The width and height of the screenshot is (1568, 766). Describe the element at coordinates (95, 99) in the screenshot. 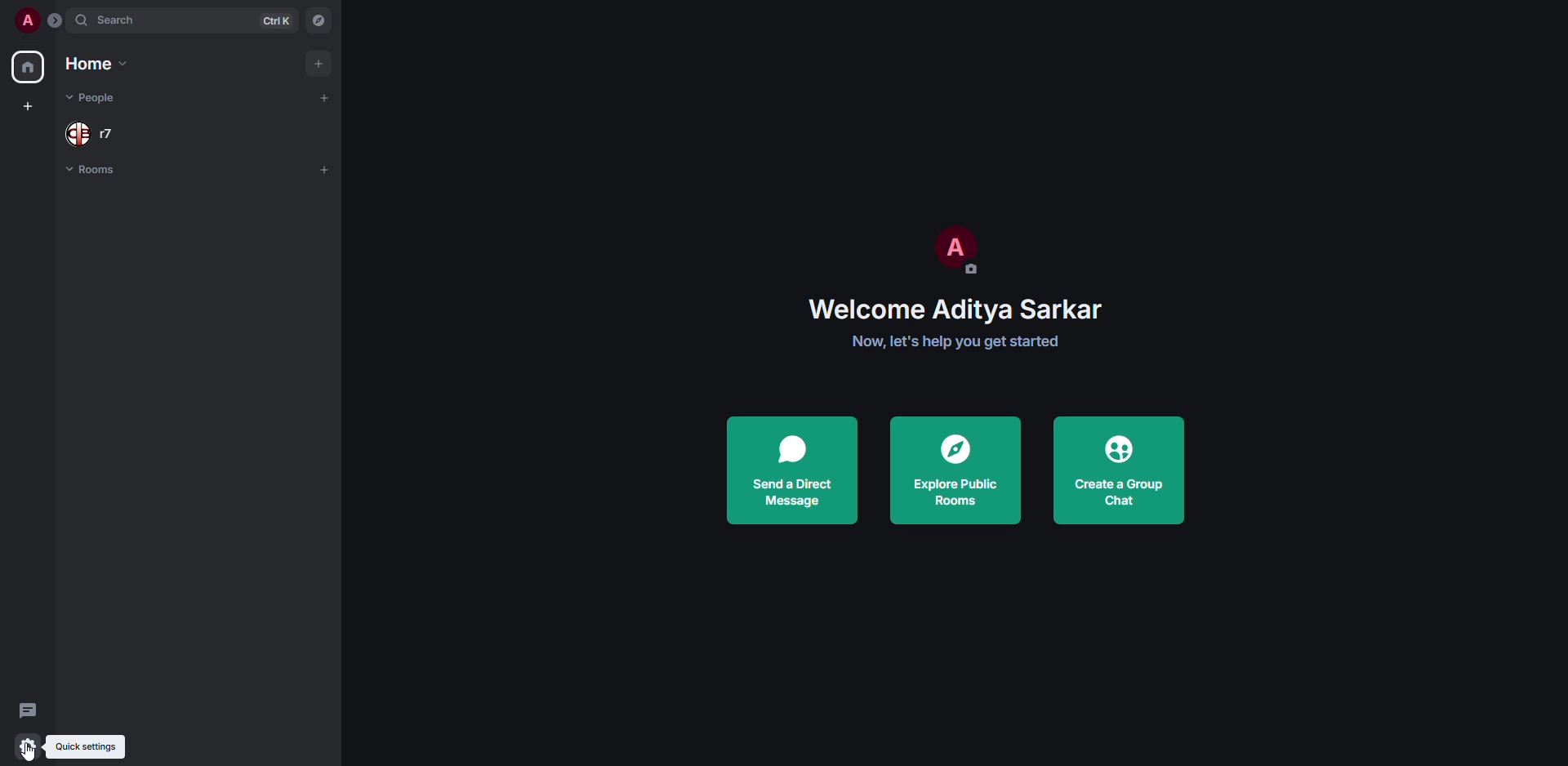

I see `people` at that location.